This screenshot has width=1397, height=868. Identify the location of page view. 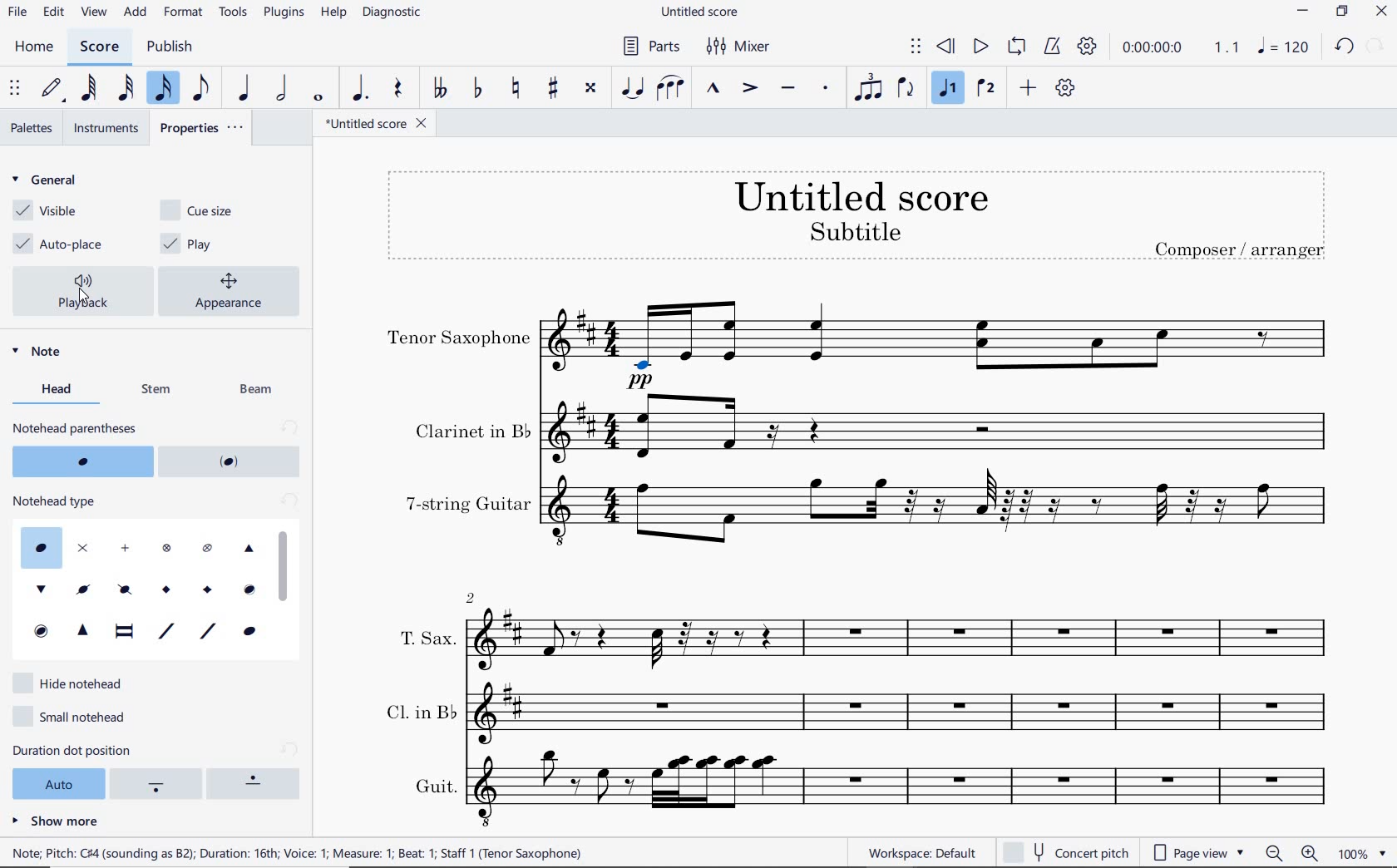
(1202, 851).